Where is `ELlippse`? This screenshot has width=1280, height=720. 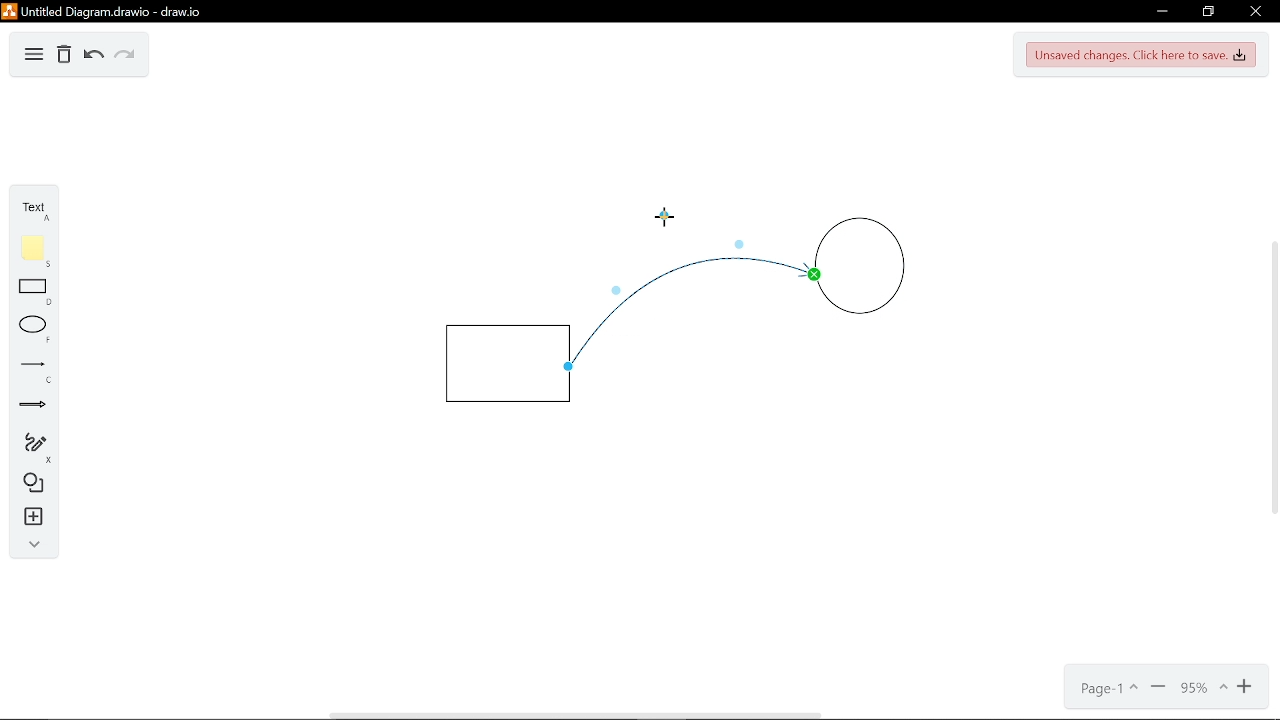 ELlippse is located at coordinates (31, 327).